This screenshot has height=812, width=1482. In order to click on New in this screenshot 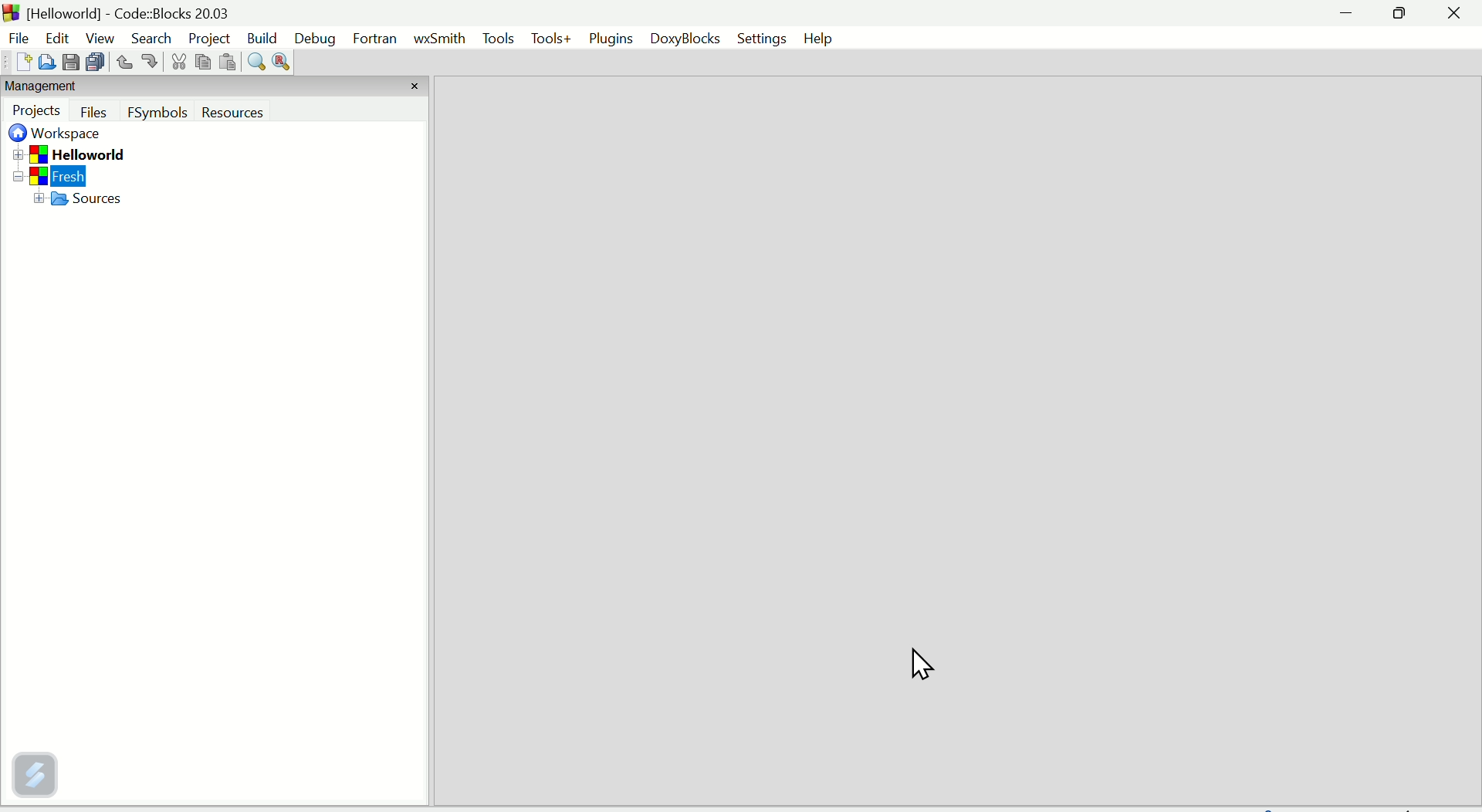, I will do `click(17, 63)`.